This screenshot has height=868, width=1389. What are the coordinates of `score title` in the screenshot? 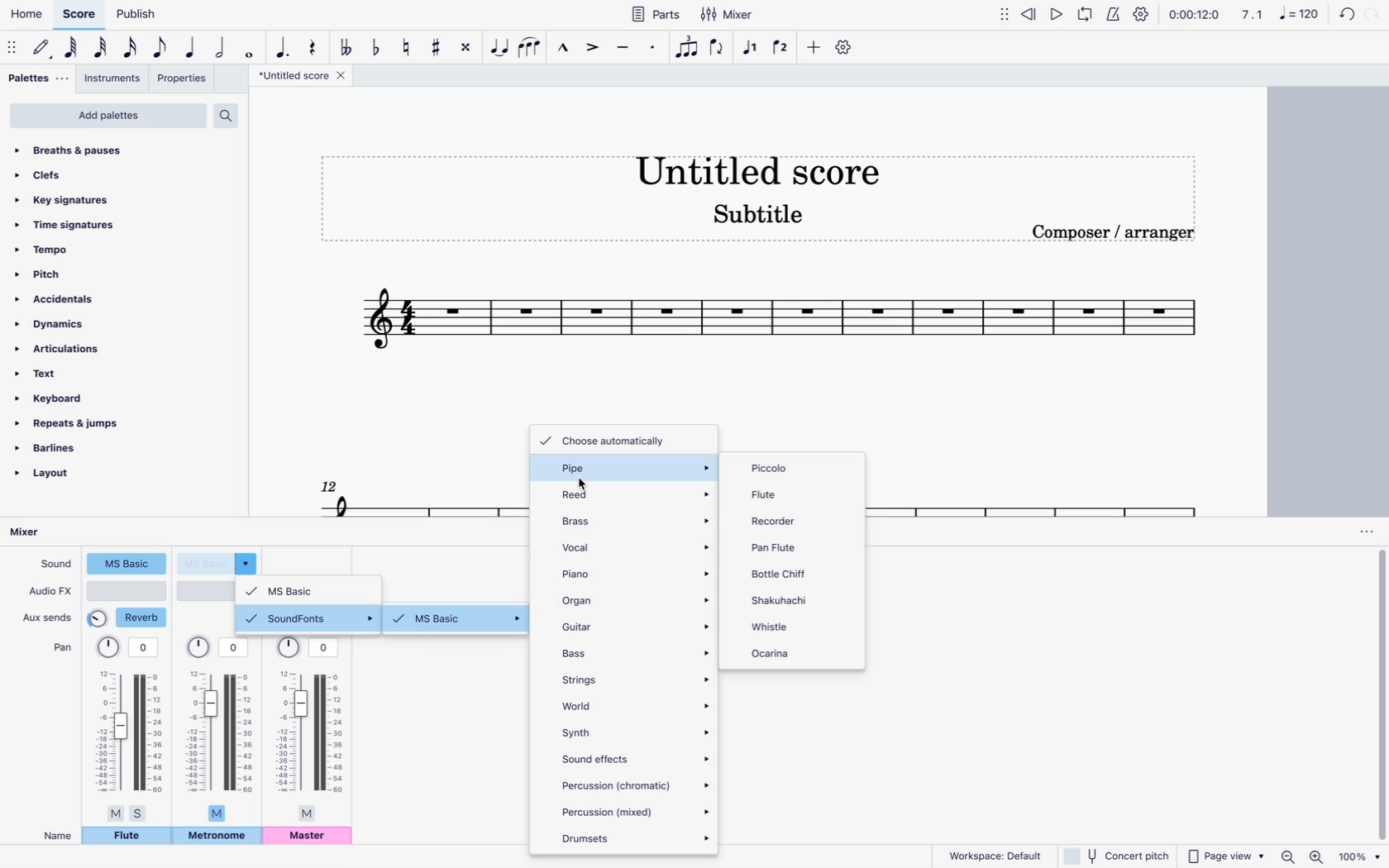 It's located at (301, 77).